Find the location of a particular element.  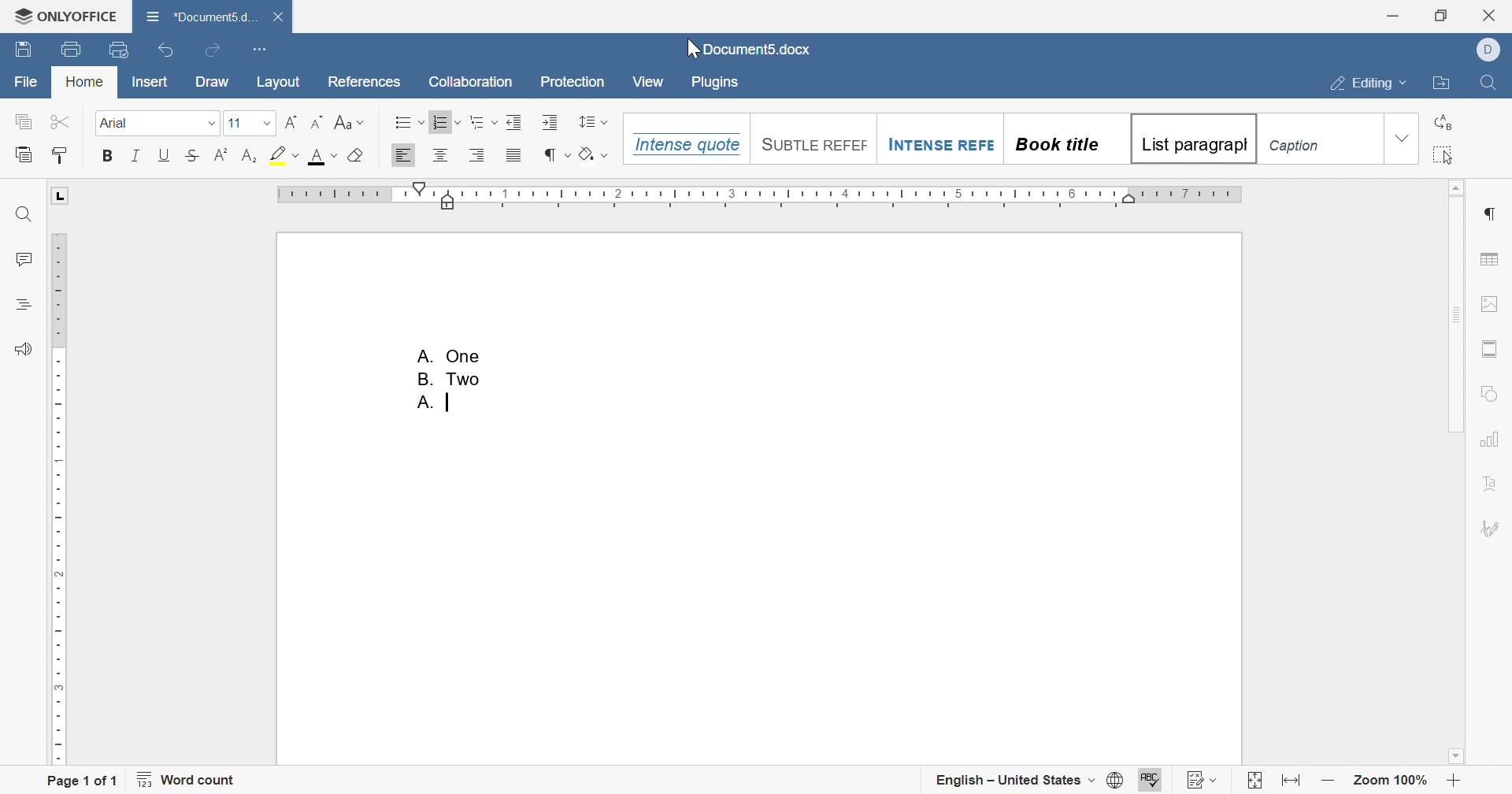

onlyoffice is located at coordinates (66, 16).